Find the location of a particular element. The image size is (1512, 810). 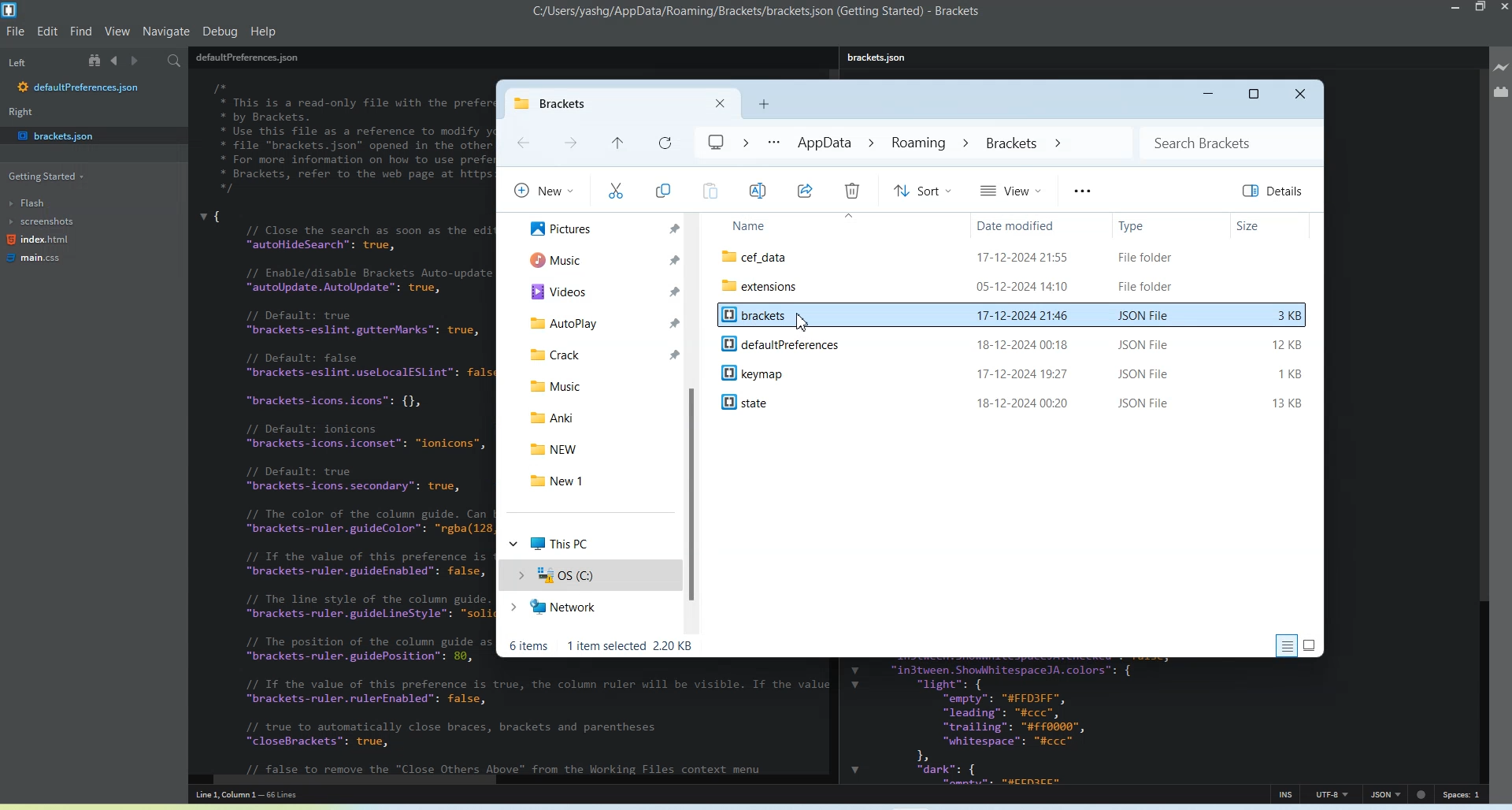

Minimize is located at coordinates (1458, 8).